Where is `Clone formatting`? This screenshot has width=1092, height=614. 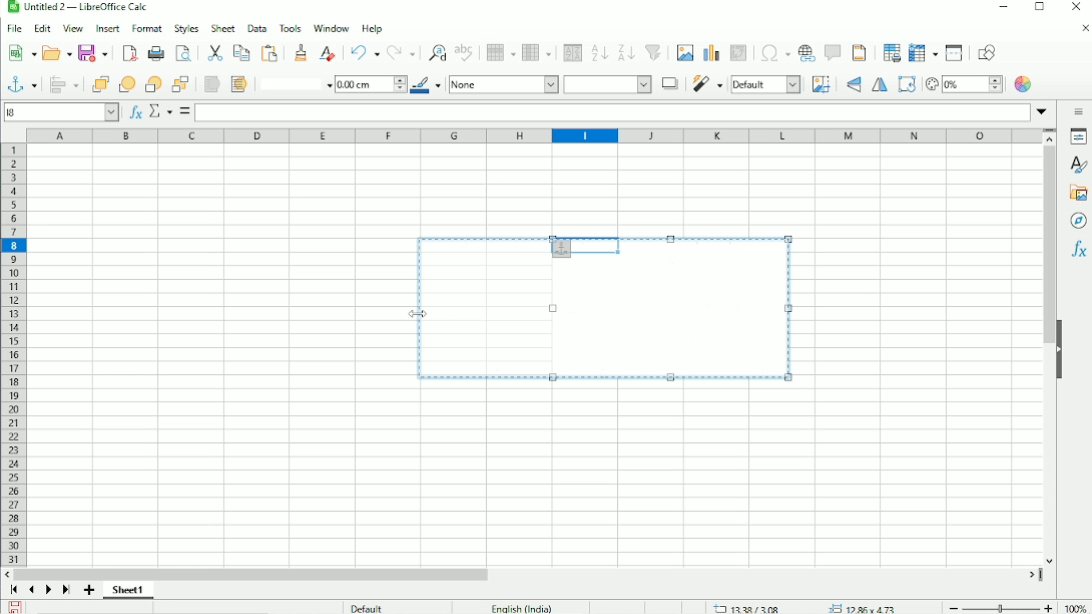 Clone formatting is located at coordinates (302, 52).